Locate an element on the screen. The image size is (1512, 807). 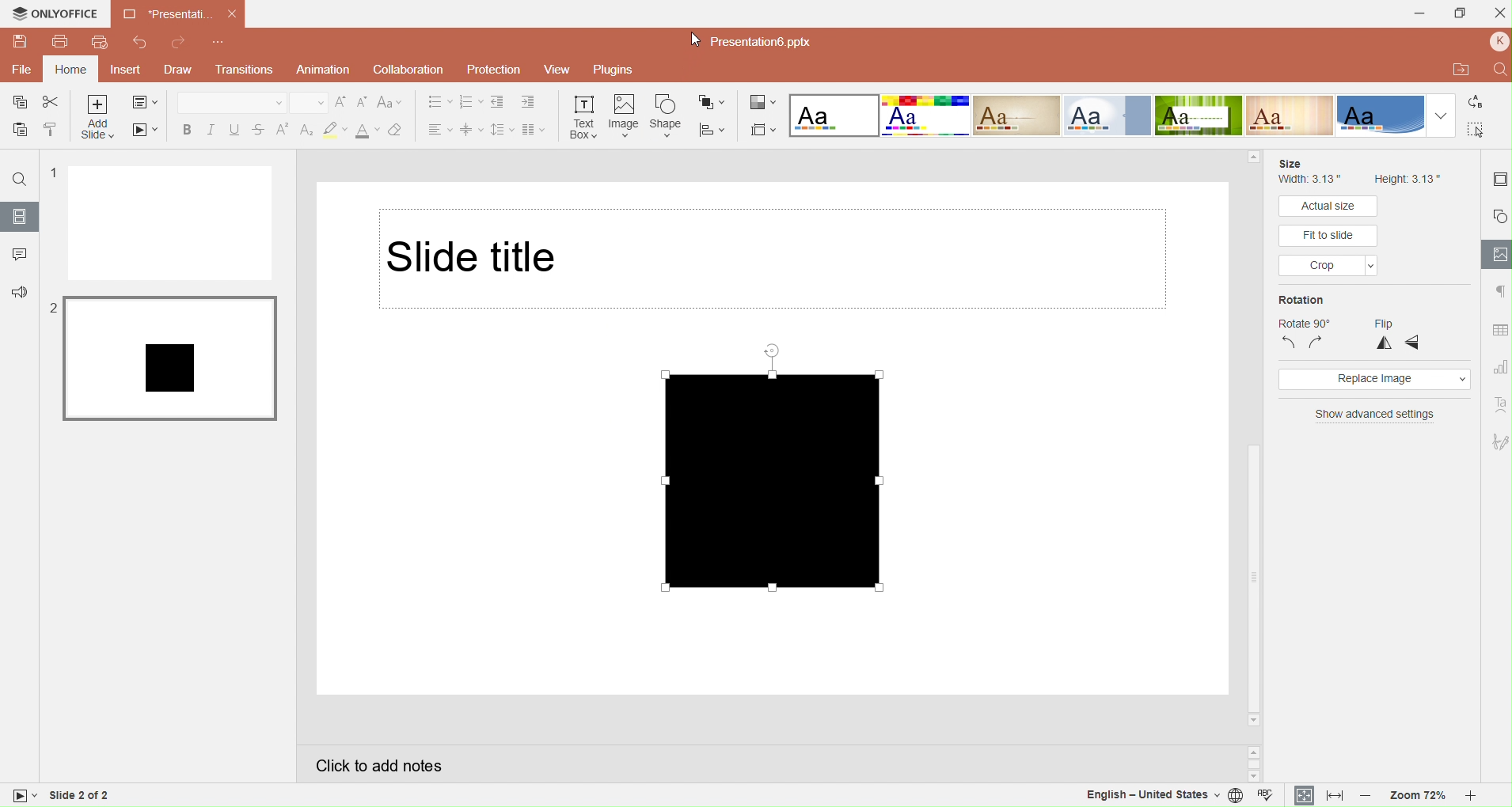
Select slide size is located at coordinates (764, 130).